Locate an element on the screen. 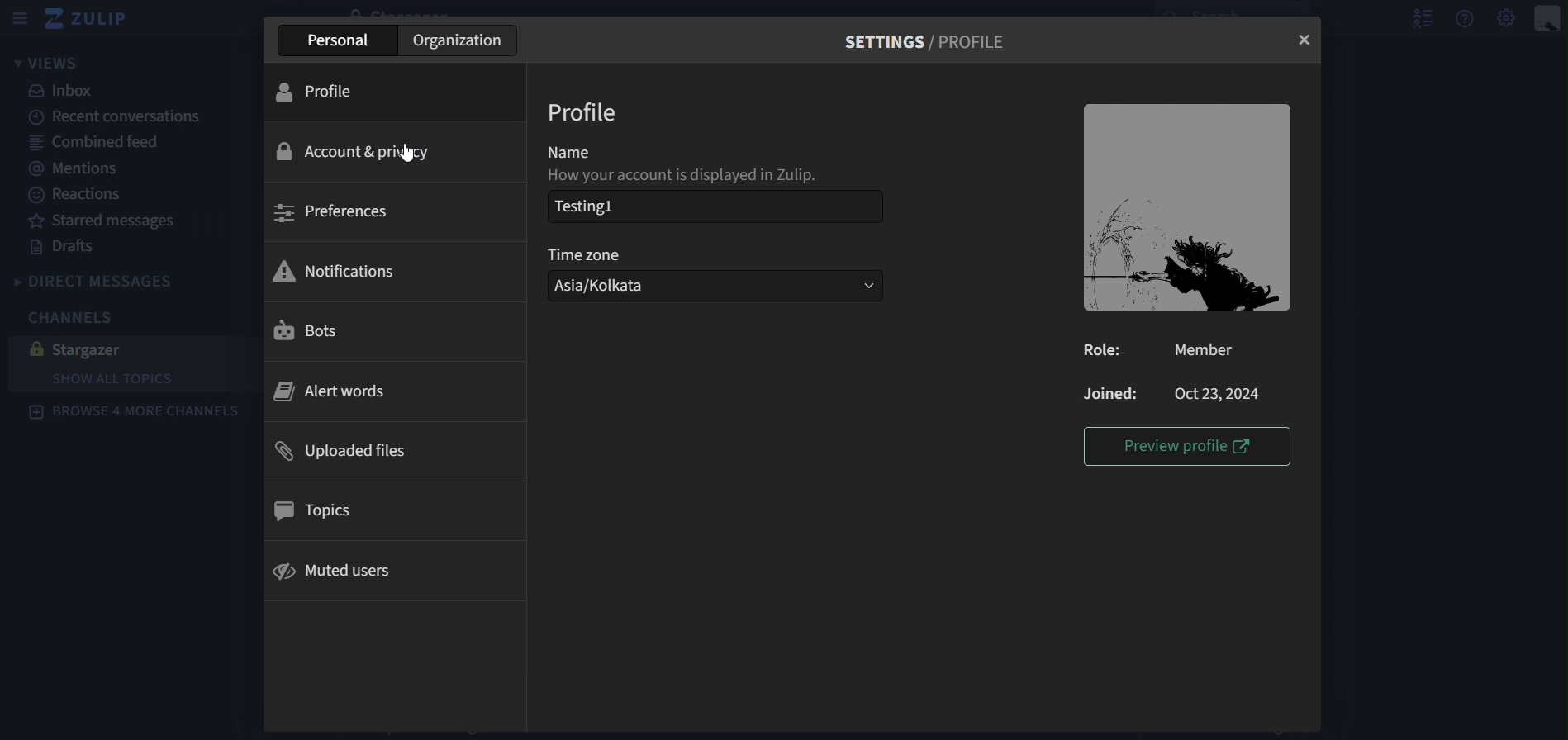 The height and width of the screenshot is (740, 1568). zulip is located at coordinates (93, 20).